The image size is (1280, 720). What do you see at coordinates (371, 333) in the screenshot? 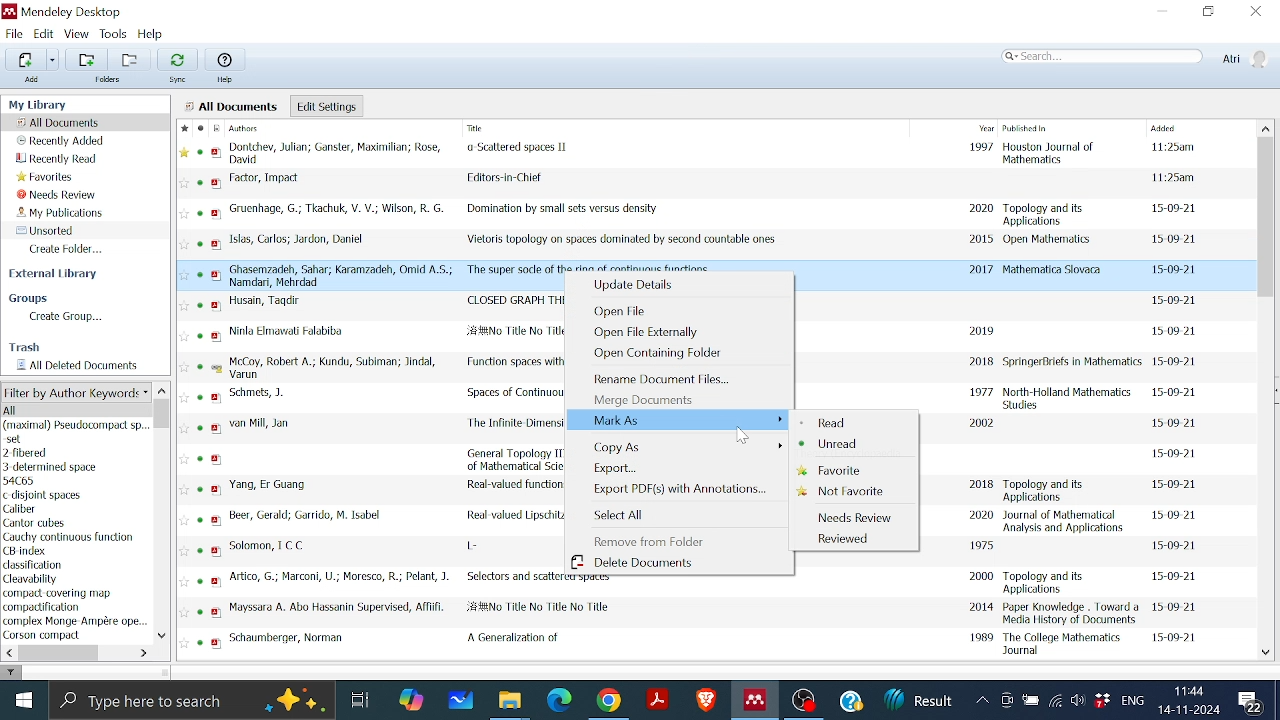
I see `Ninla Elmawali Falabiba Document` at bounding box center [371, 333].